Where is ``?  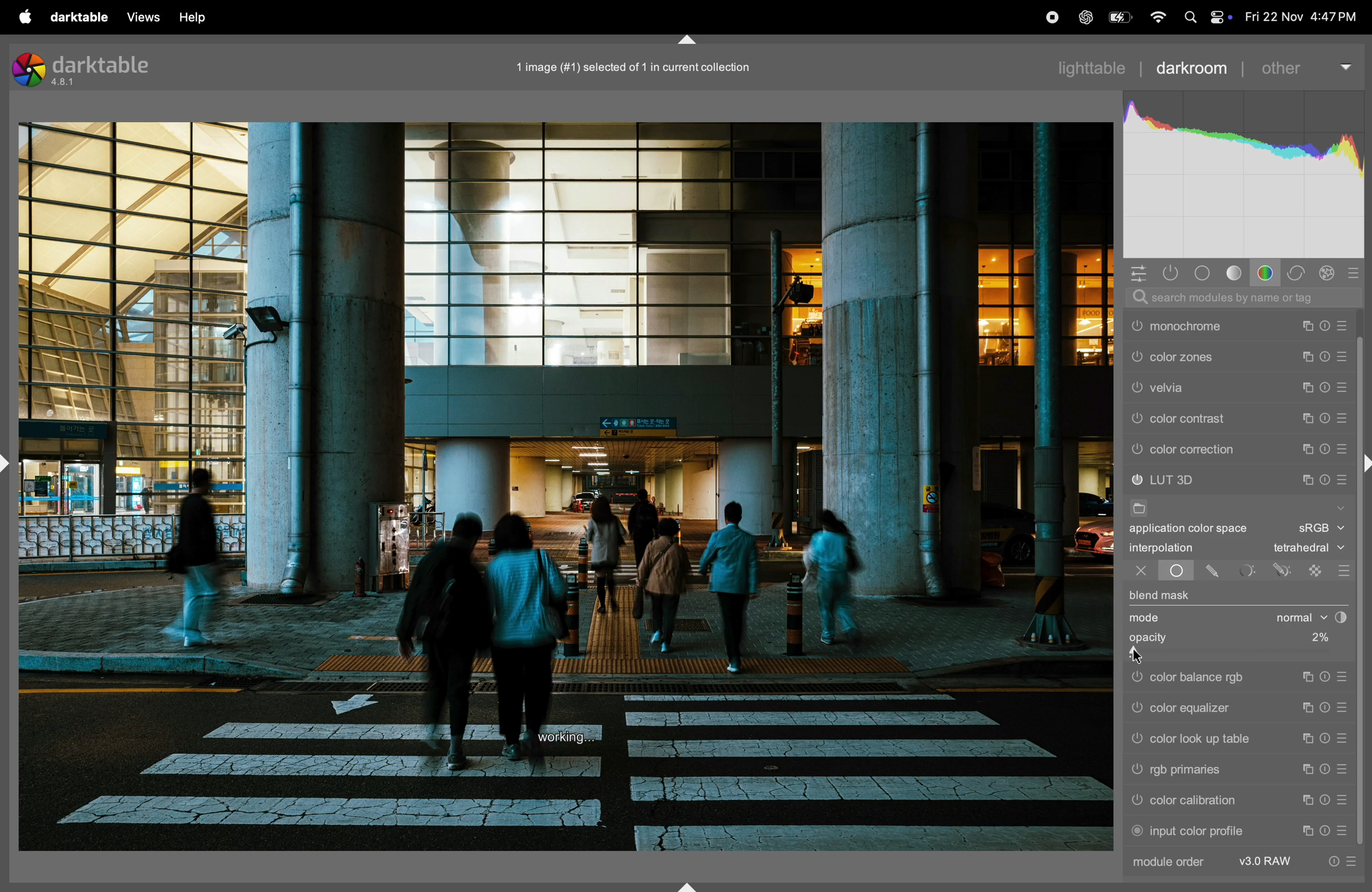  is located at coordinates (1137, 739).